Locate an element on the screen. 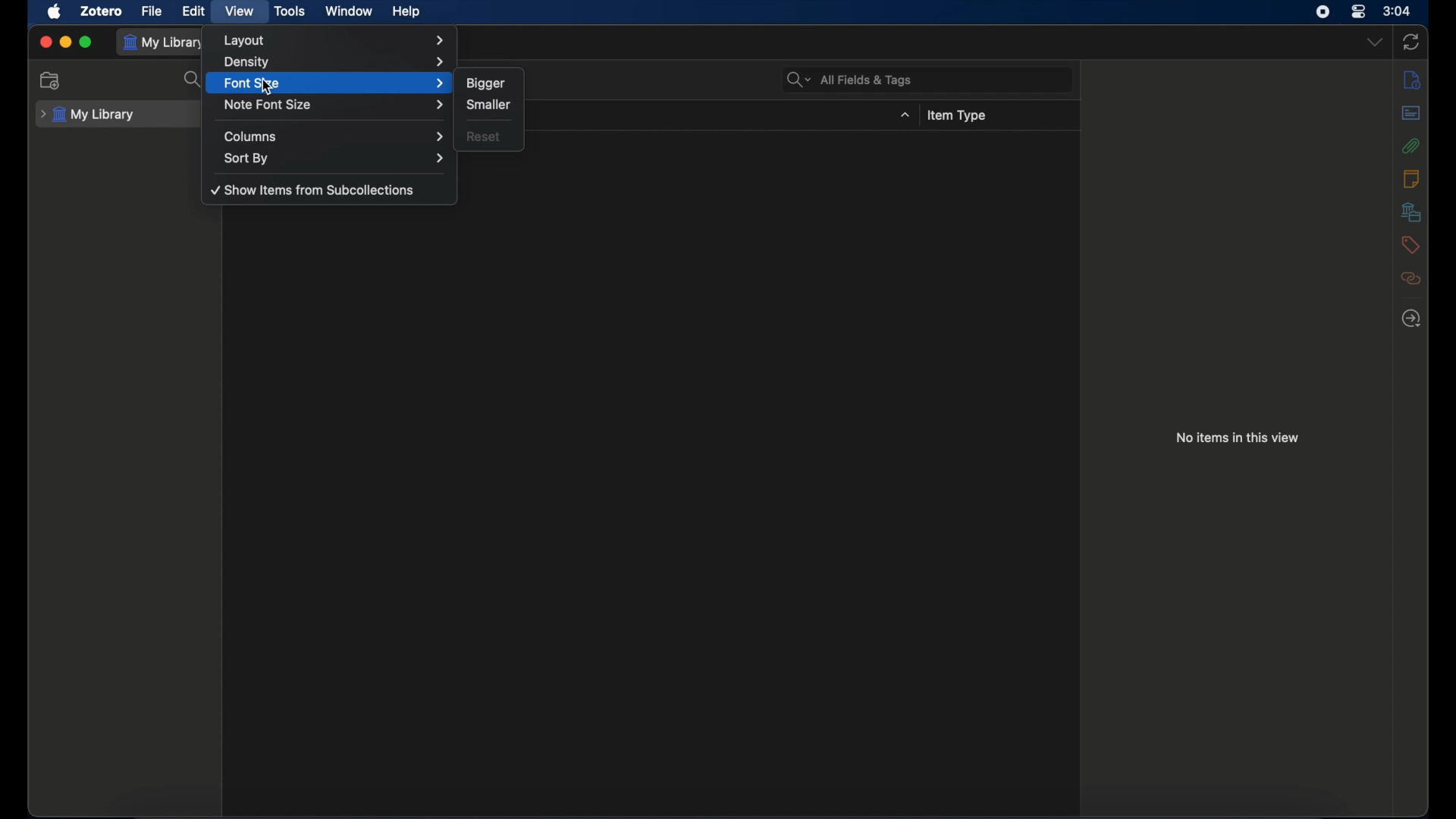 This screenshot has width=1456, height=819. all fields & tags is located at coordinates (850, 80).